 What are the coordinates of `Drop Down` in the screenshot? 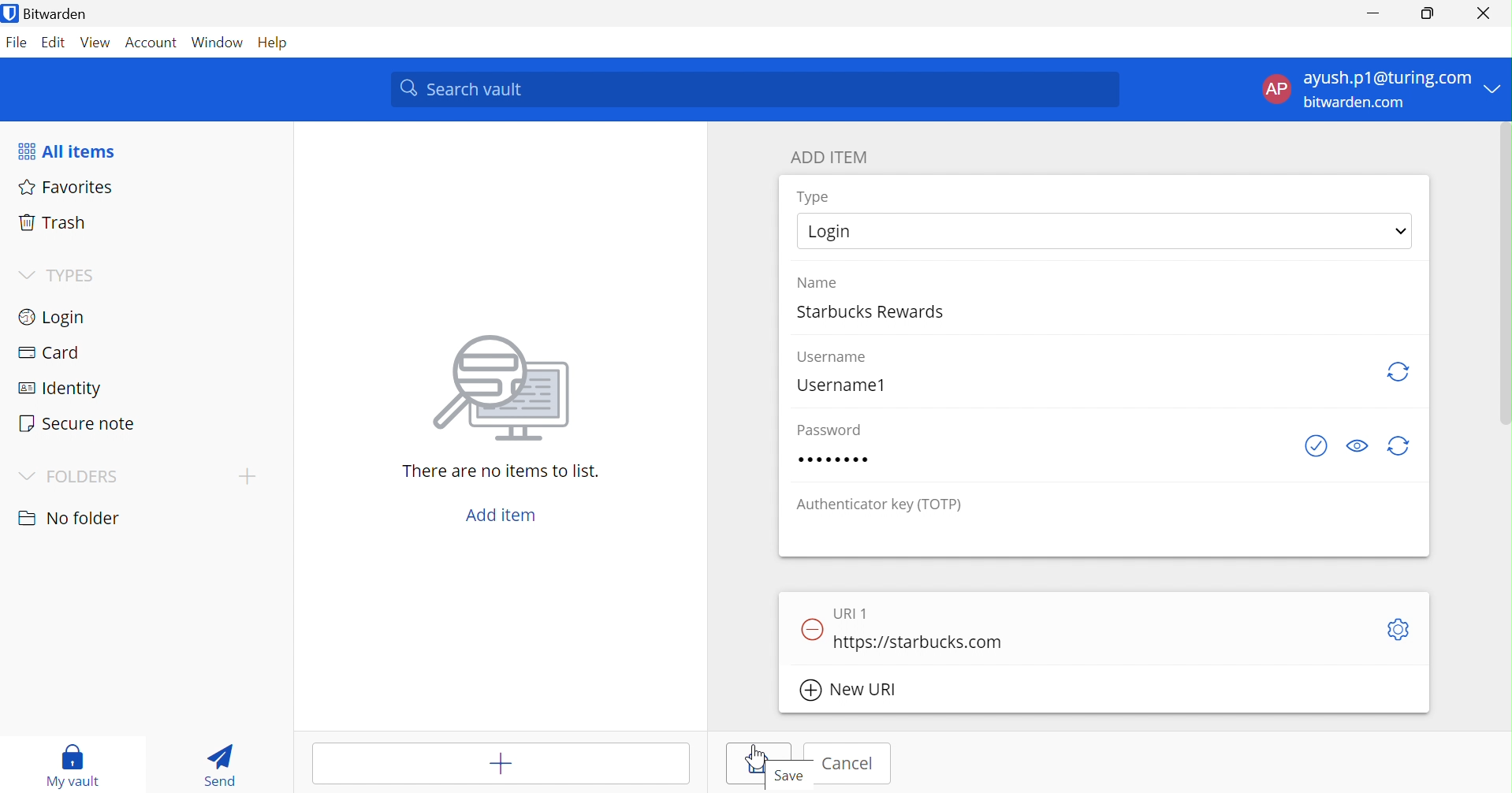 It's located at (28, 477).